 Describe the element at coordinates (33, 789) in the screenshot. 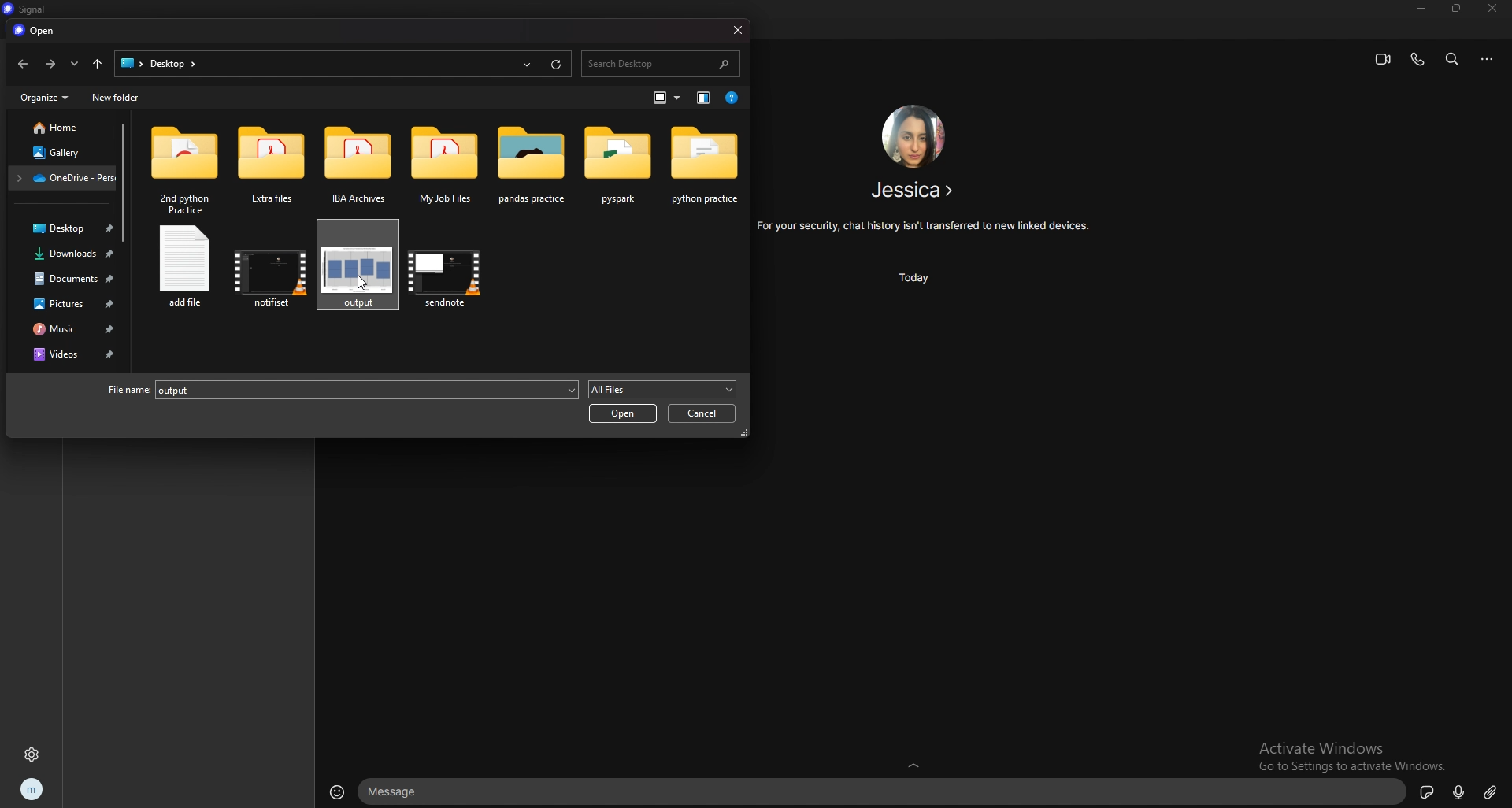

I see `profile` at that location.